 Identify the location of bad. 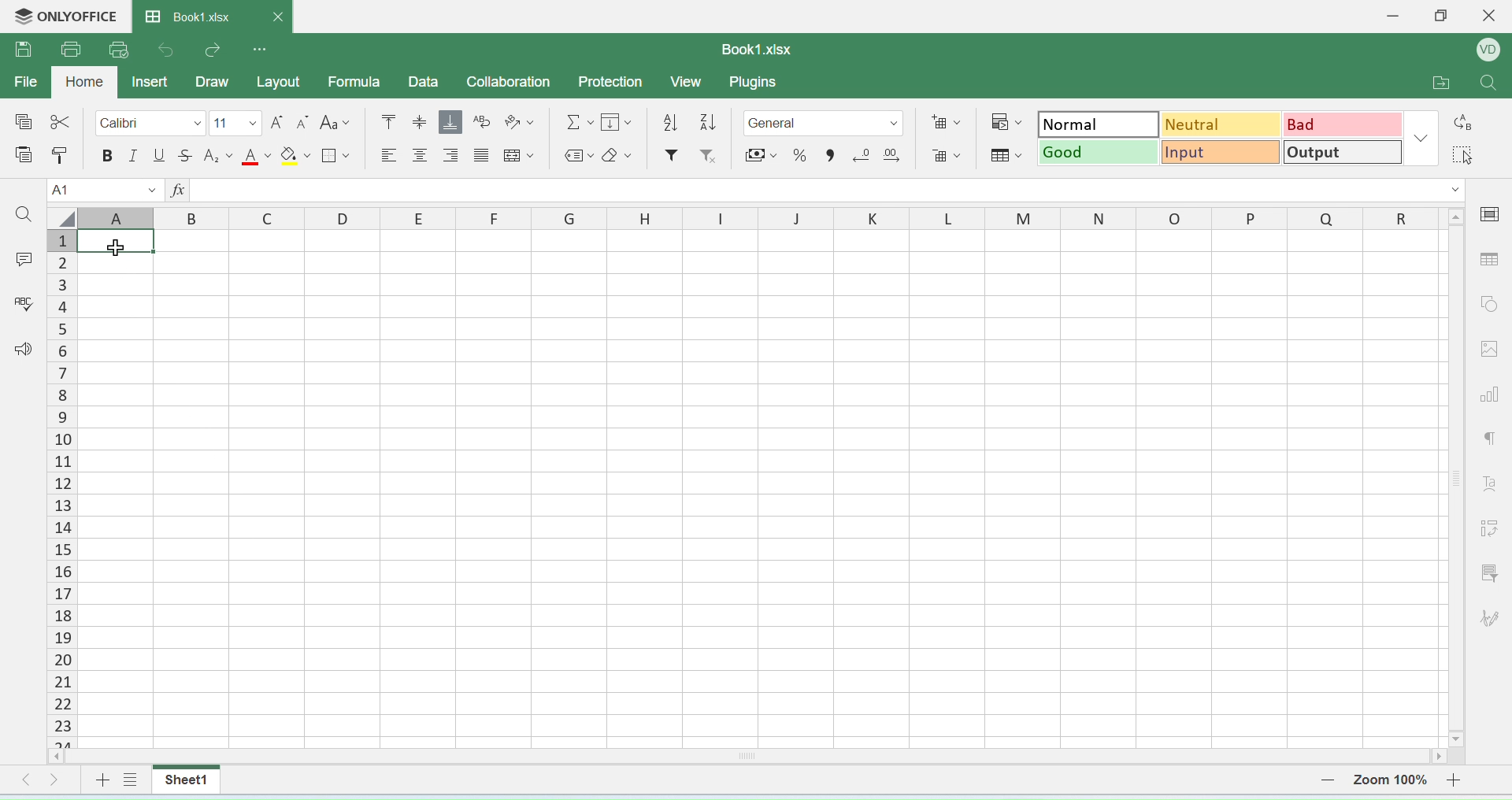
(1340, 124).